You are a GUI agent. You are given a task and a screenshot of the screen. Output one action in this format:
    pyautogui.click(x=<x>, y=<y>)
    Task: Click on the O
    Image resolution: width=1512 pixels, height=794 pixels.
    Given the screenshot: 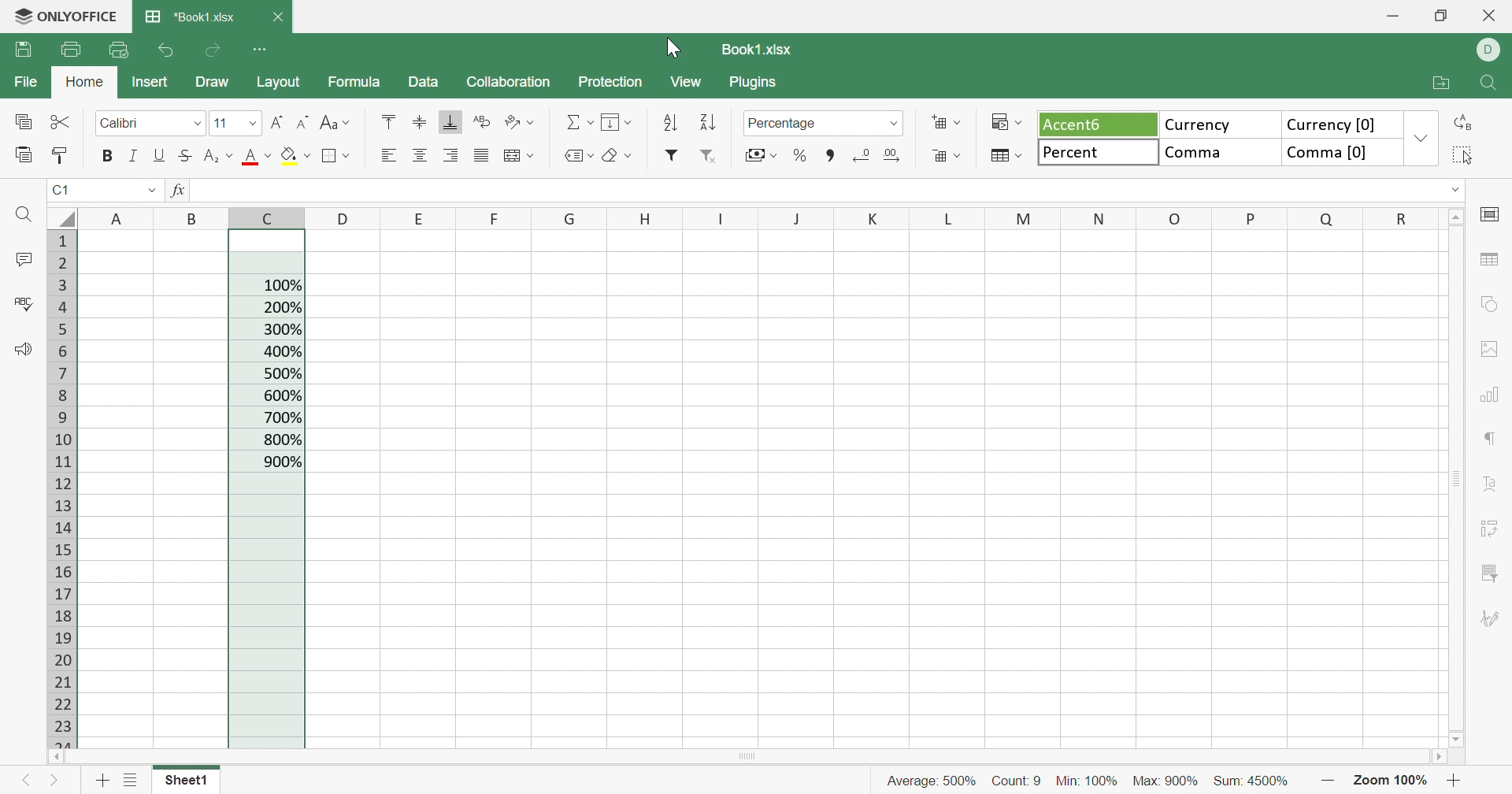 What is the action you would take?
    pyautogui.click(x=1178, y=217)
    